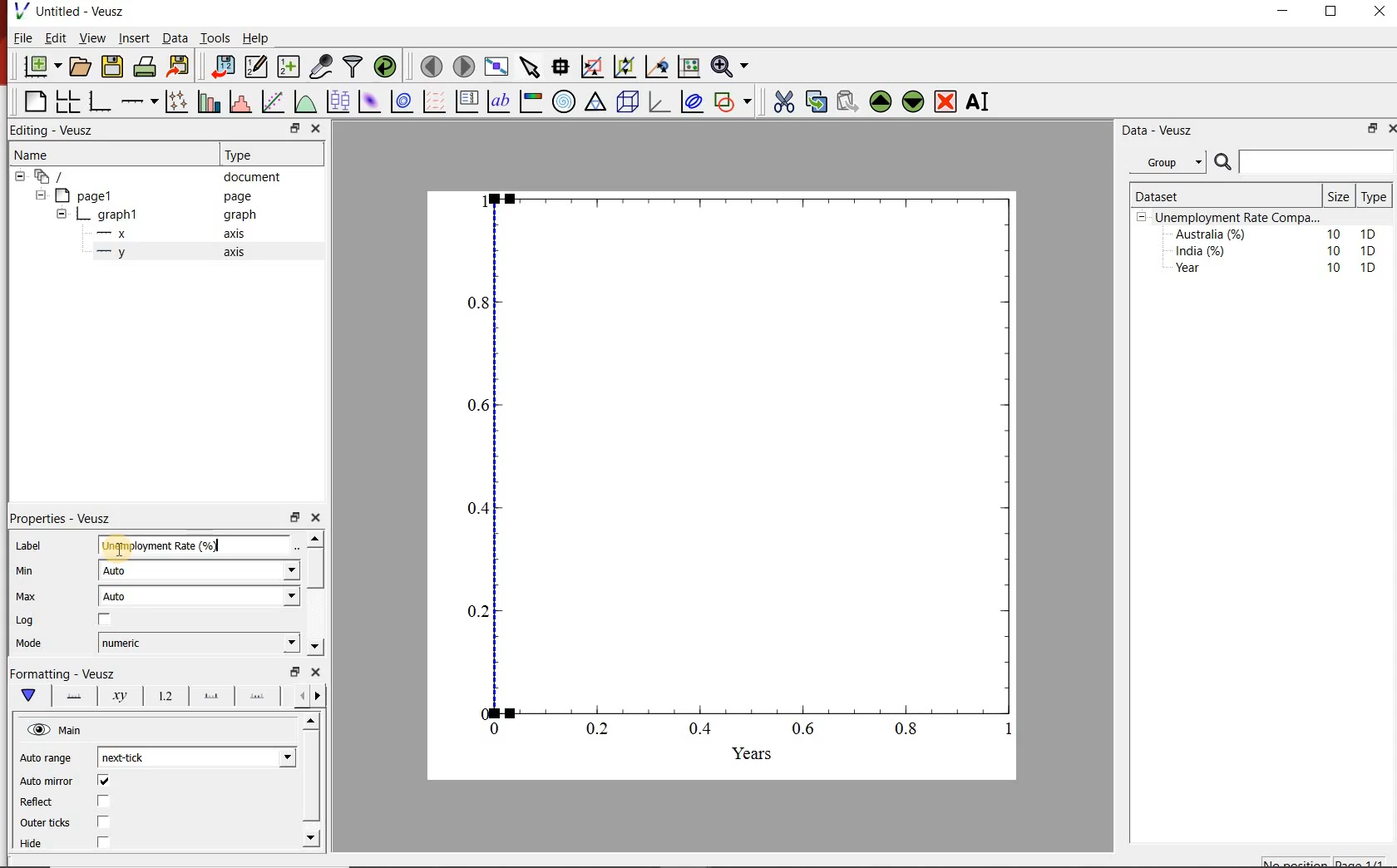 Image resolution: width=1397 pixels, height=868 pixels. I want to click on move right, so click(317, 696).